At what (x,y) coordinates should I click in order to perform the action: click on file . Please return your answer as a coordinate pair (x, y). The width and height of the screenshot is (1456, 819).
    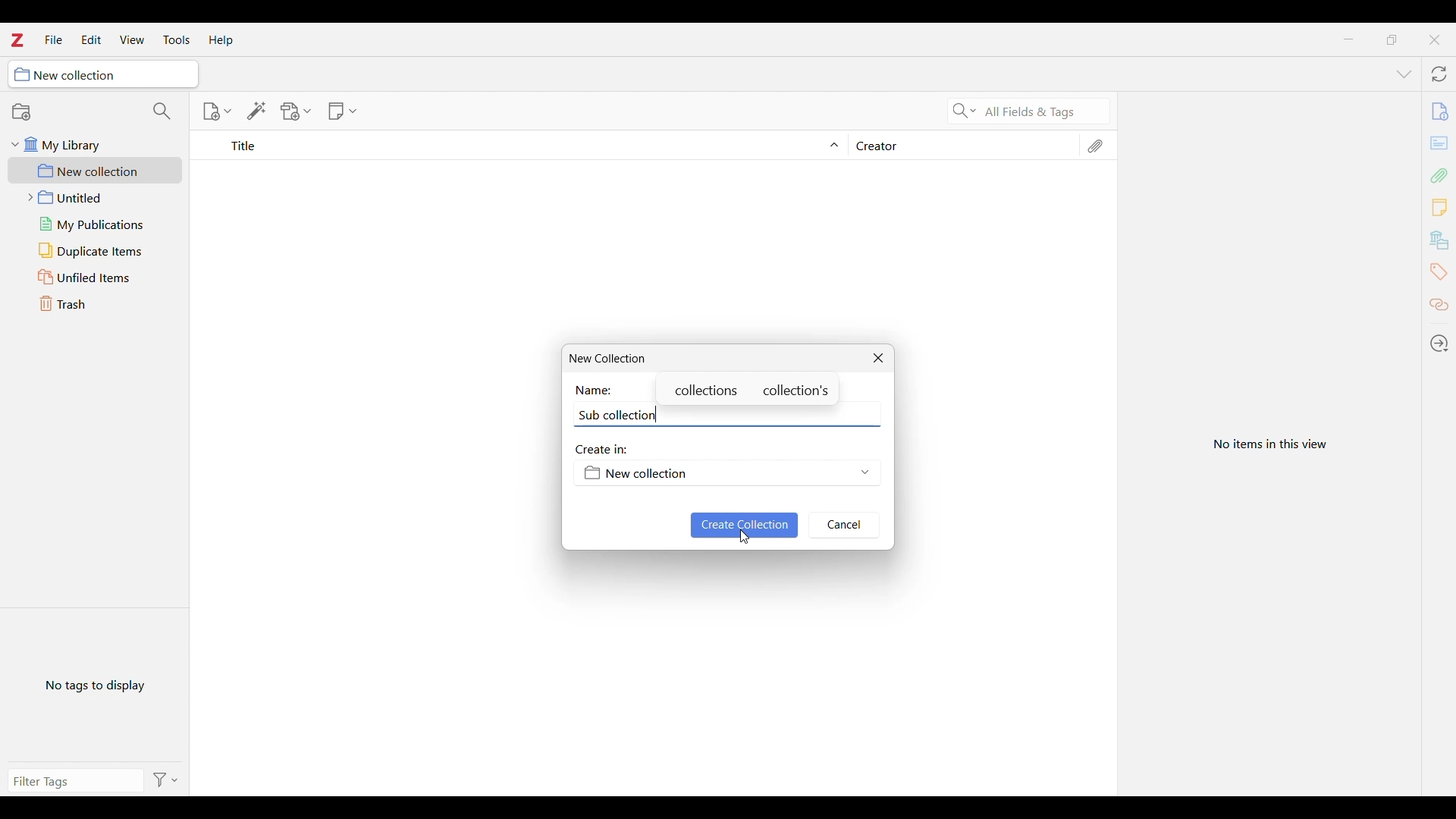
    Looking at the image, I should click on (1438, 108).